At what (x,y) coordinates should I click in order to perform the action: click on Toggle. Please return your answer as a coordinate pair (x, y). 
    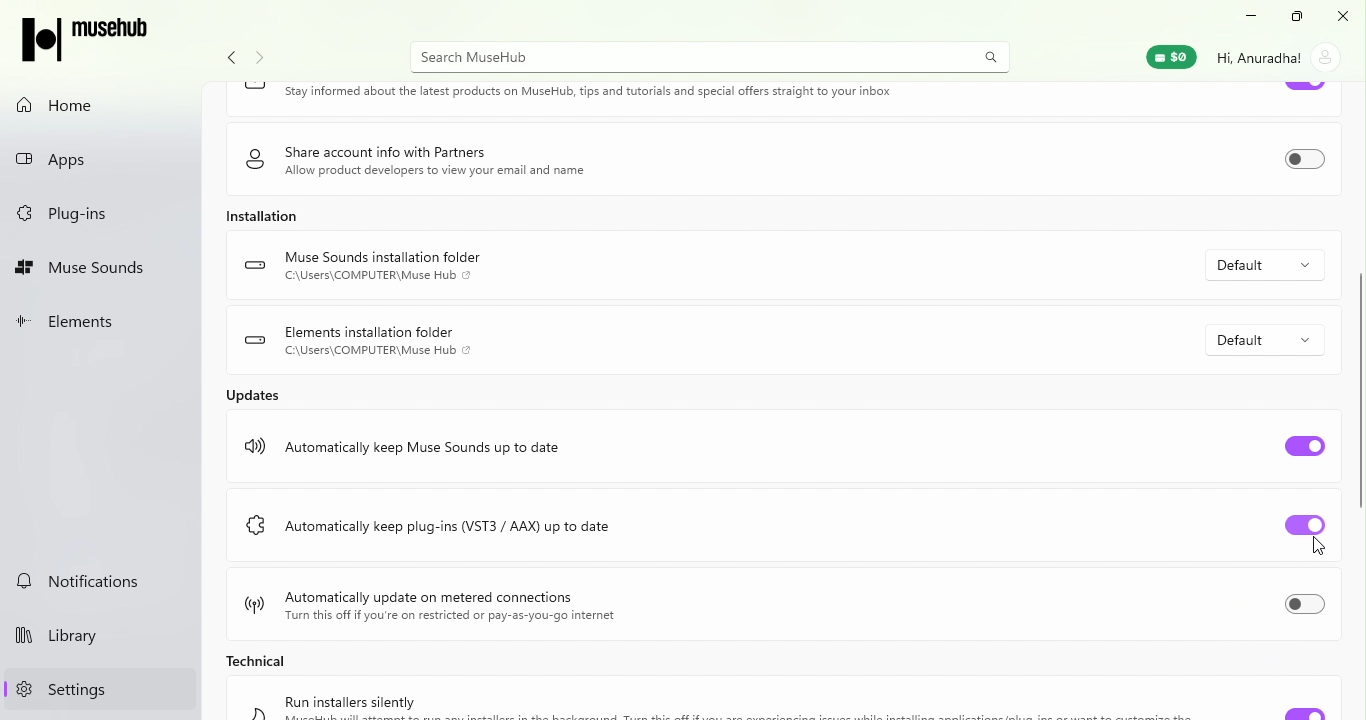
    Looking at the image, I should click on (1304, 446).